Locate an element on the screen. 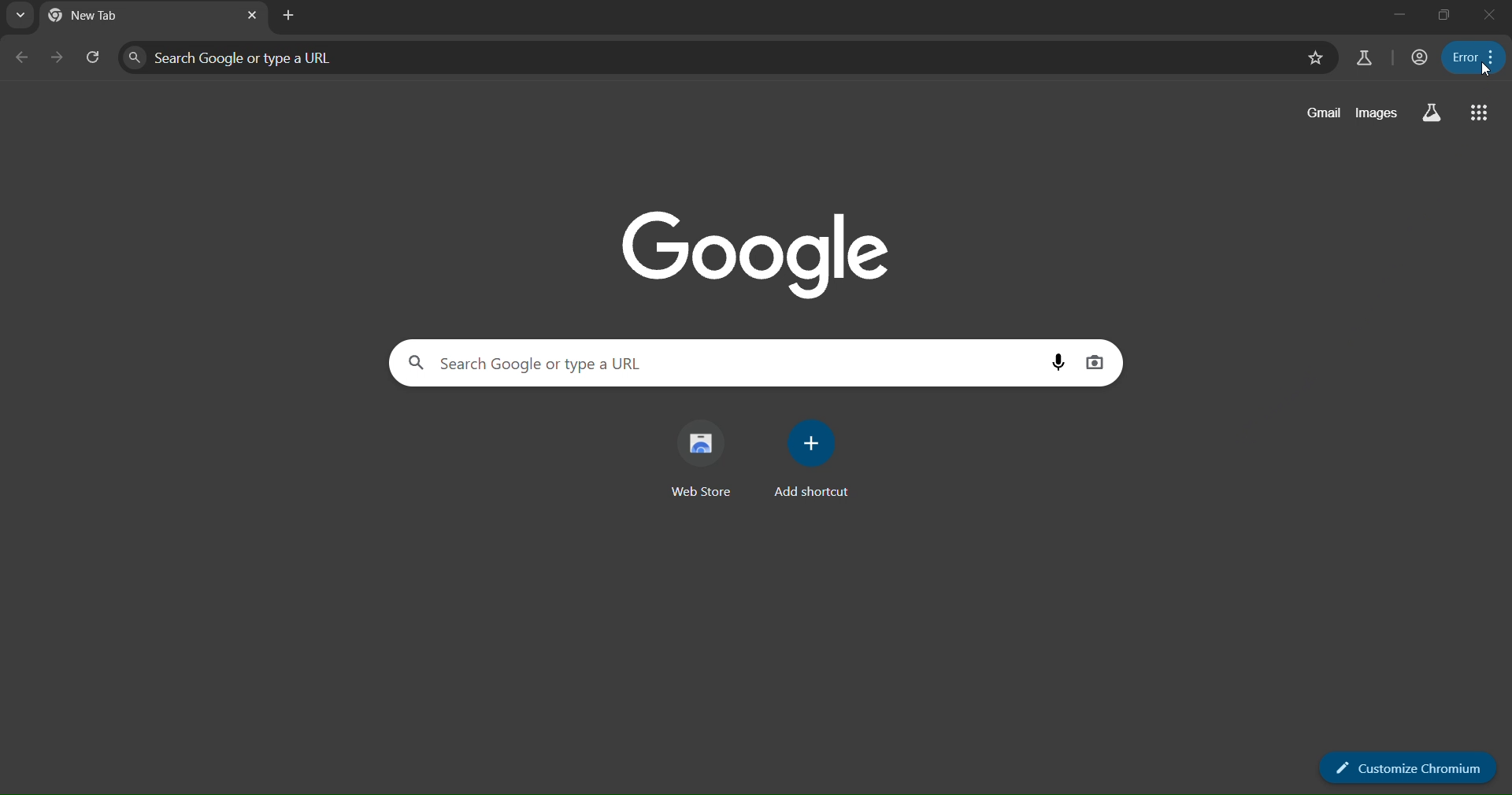 Image resolution: width=1512 pixels, height=795 pixels. restore down is located at coordinates (1445, 17).